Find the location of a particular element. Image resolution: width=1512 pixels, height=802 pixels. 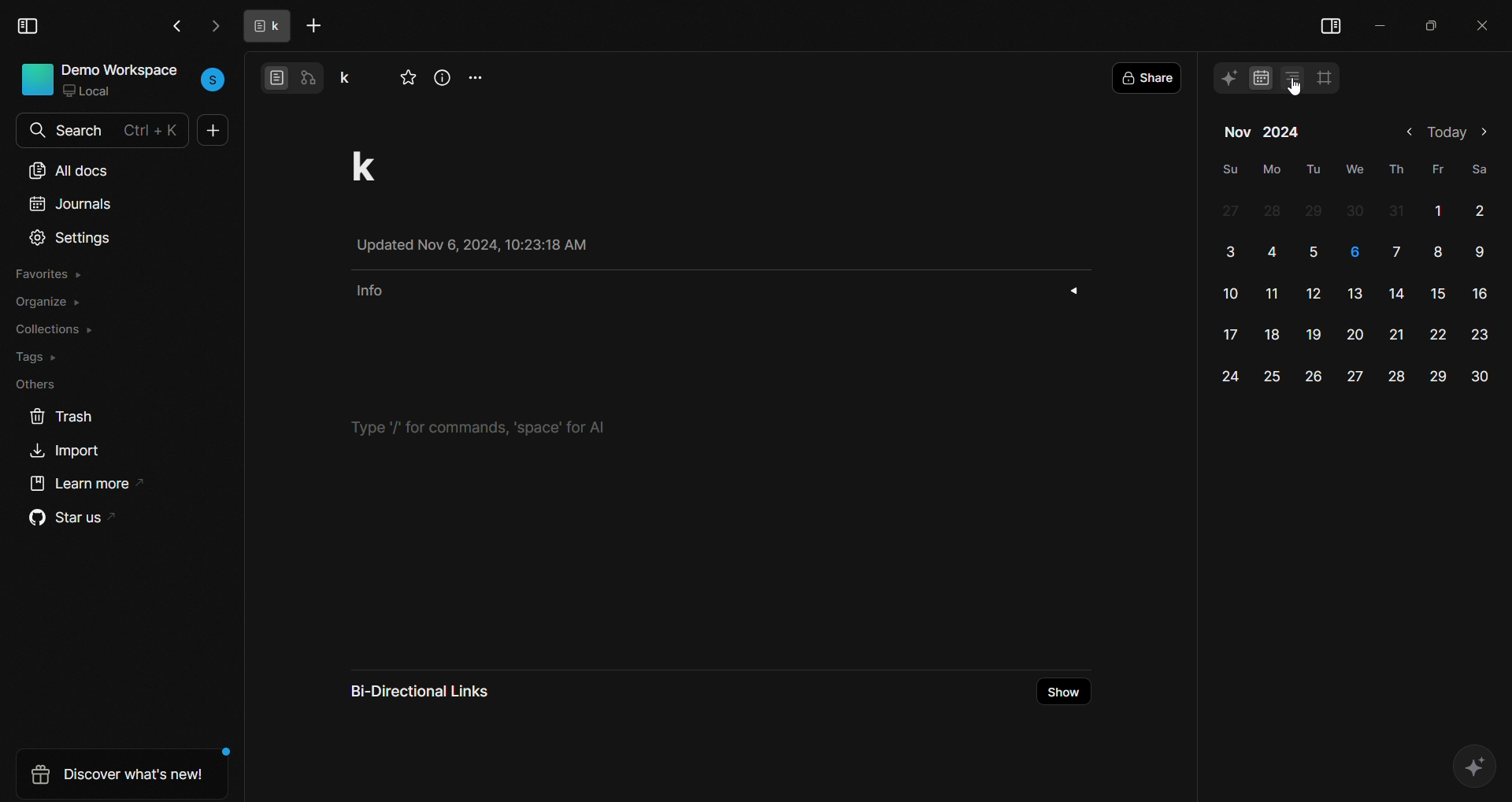

page view is located at coordinates (276, 76).